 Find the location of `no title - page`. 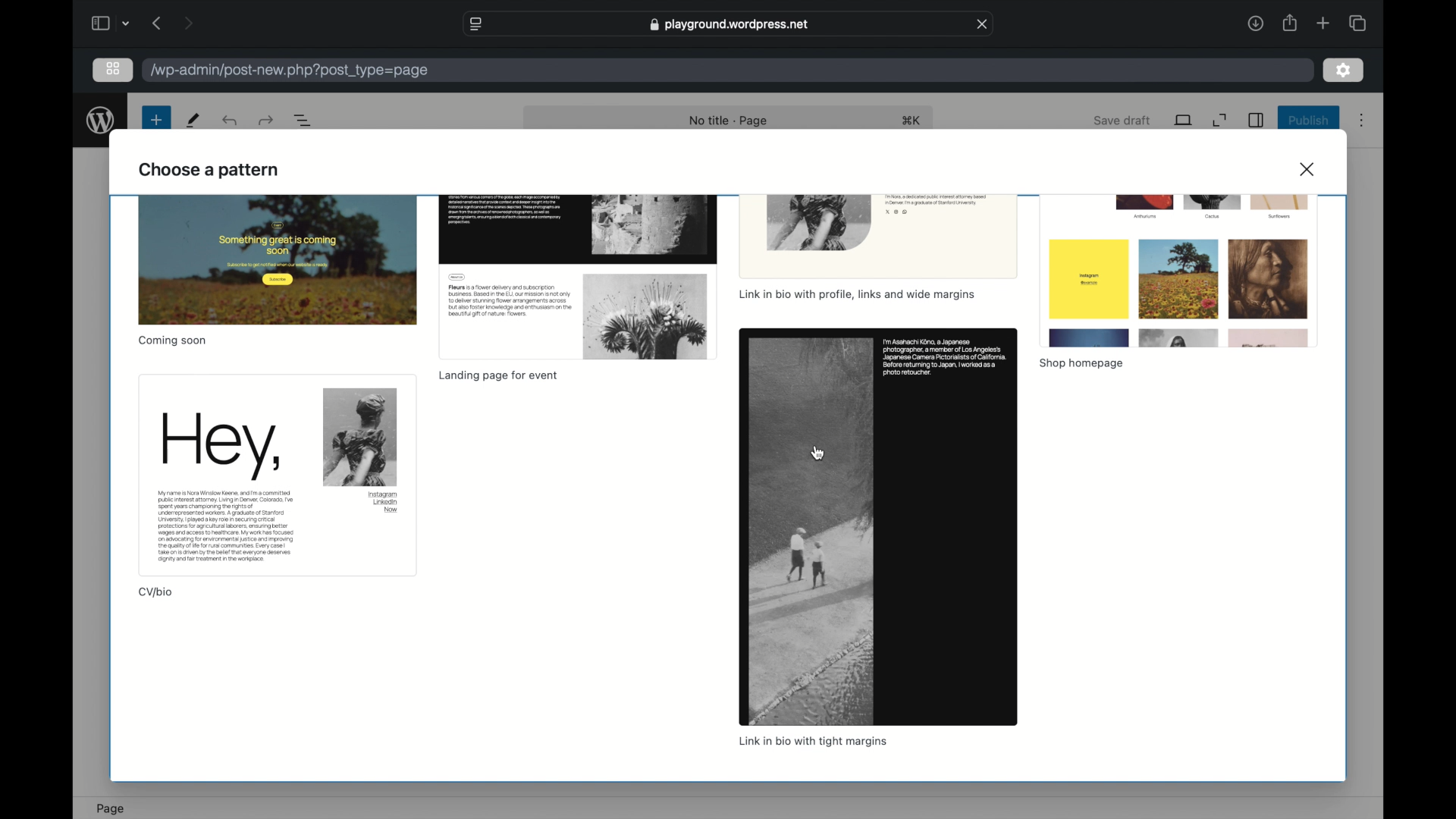

no title - page is located at coordinates (730, 121).